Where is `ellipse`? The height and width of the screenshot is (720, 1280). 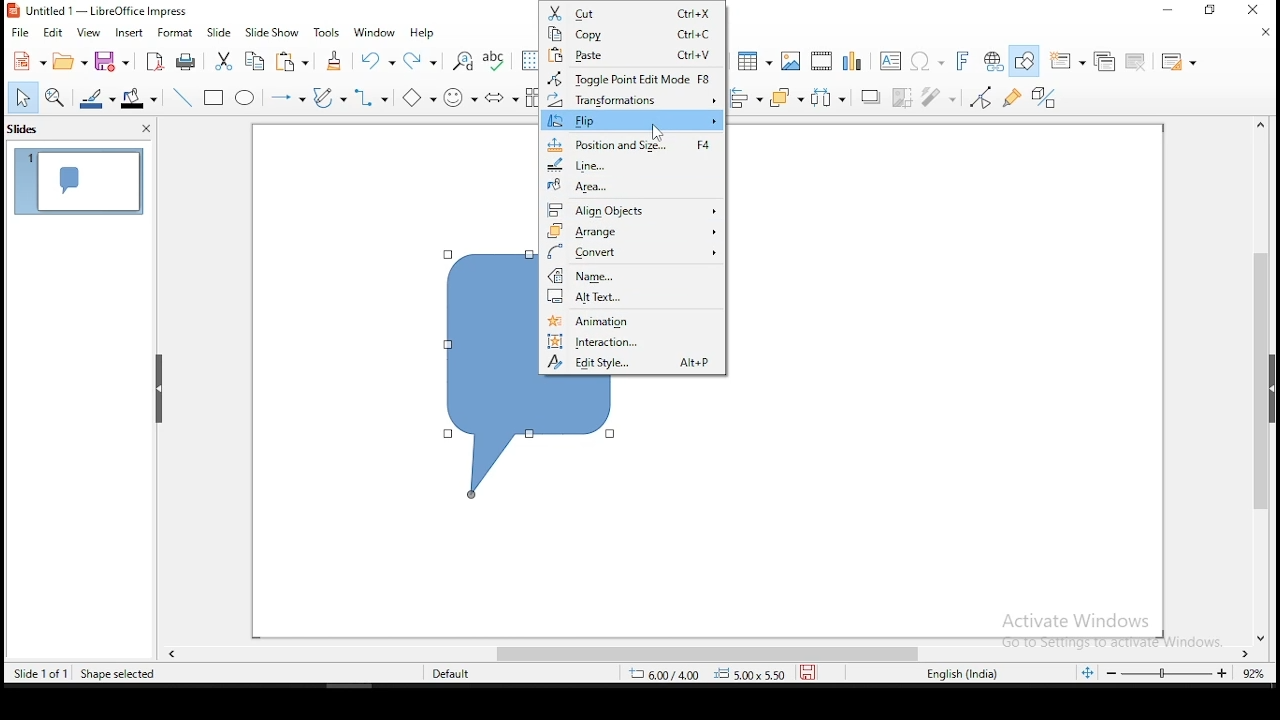
ellipse is located at coordinates (245, 98).